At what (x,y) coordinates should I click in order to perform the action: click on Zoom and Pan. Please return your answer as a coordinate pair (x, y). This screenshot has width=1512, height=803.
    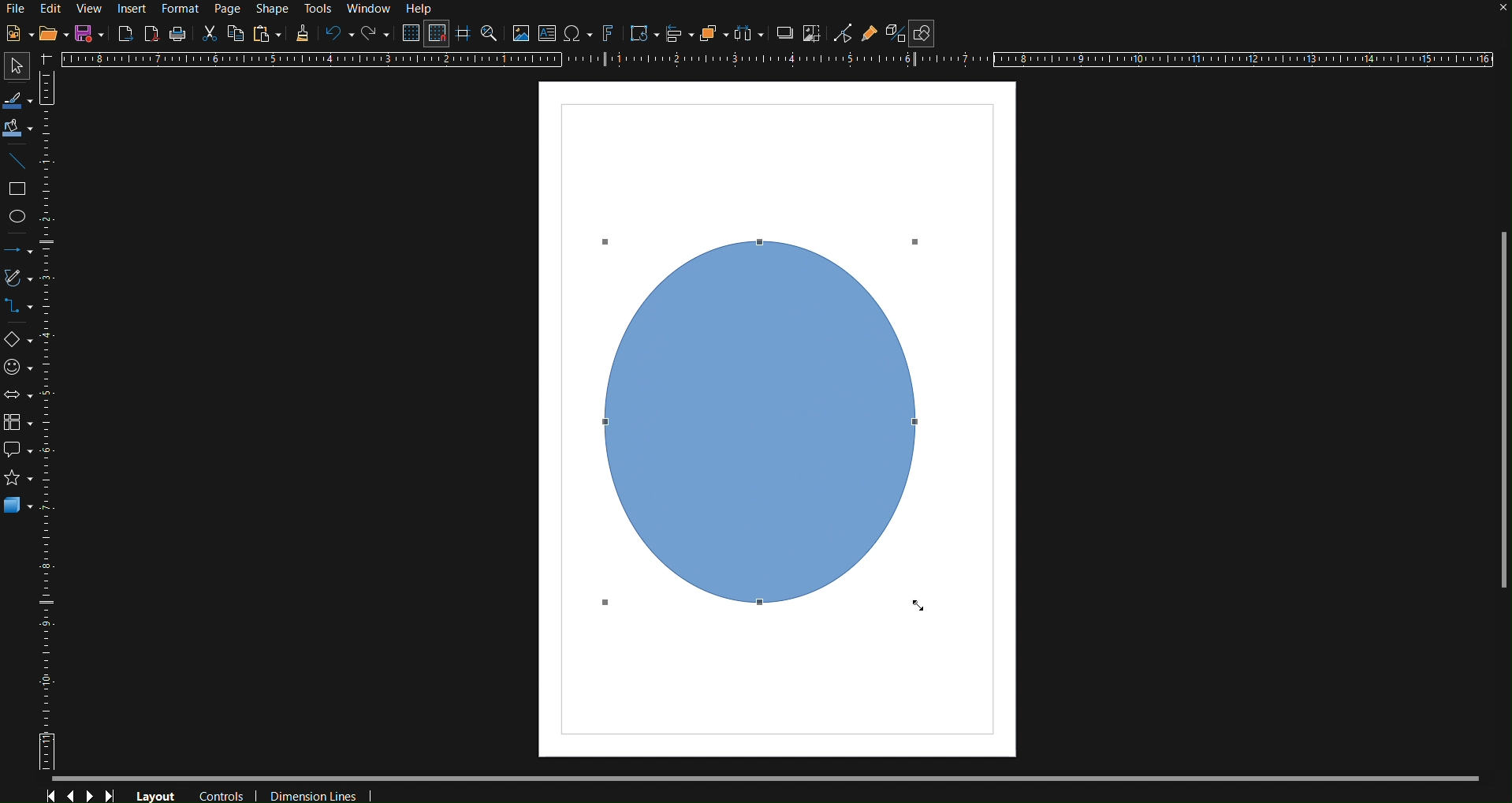
    Looking at the image, I should click on (489, 35).